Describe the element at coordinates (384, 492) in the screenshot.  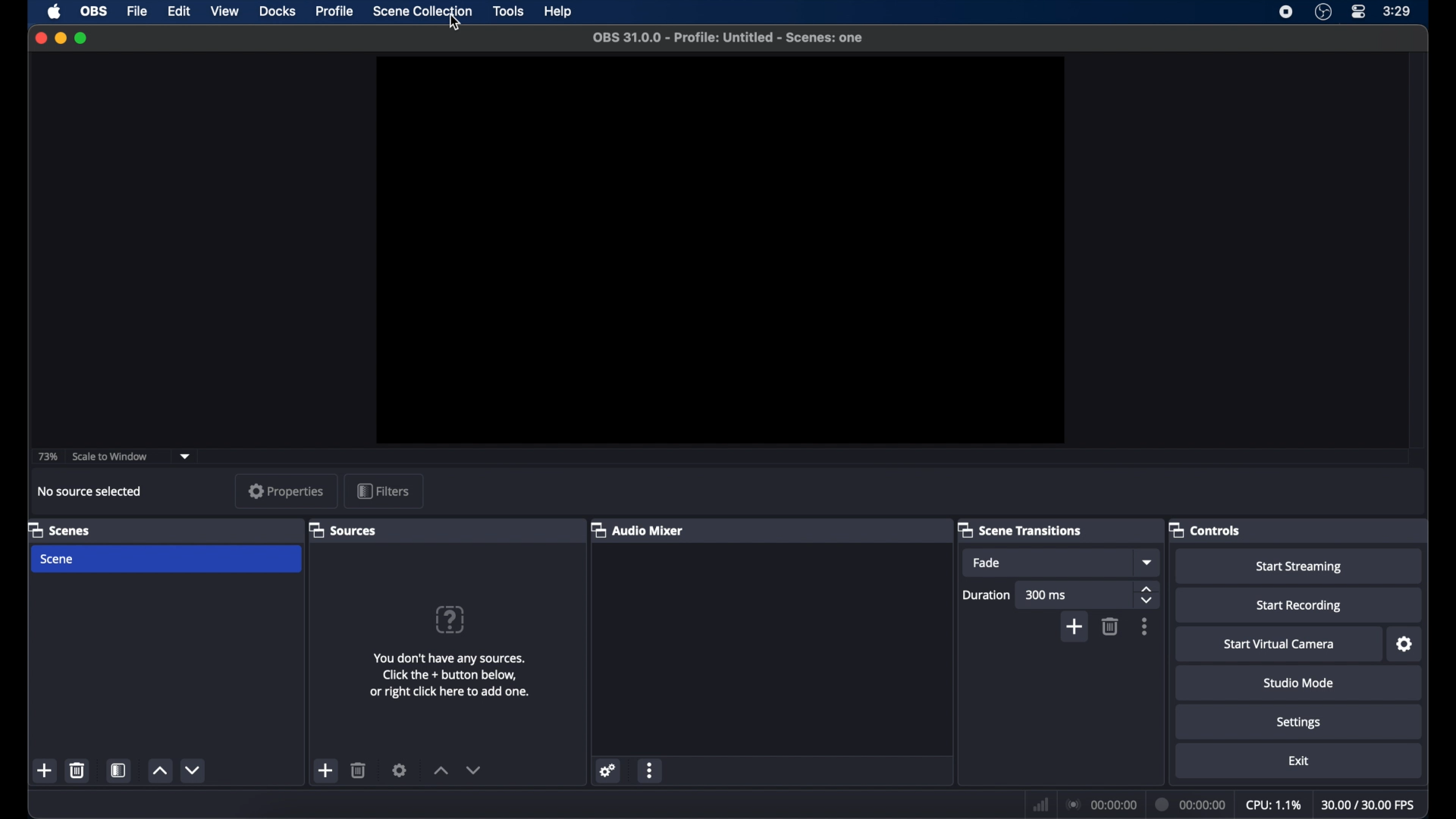
I see `filters` at that location.